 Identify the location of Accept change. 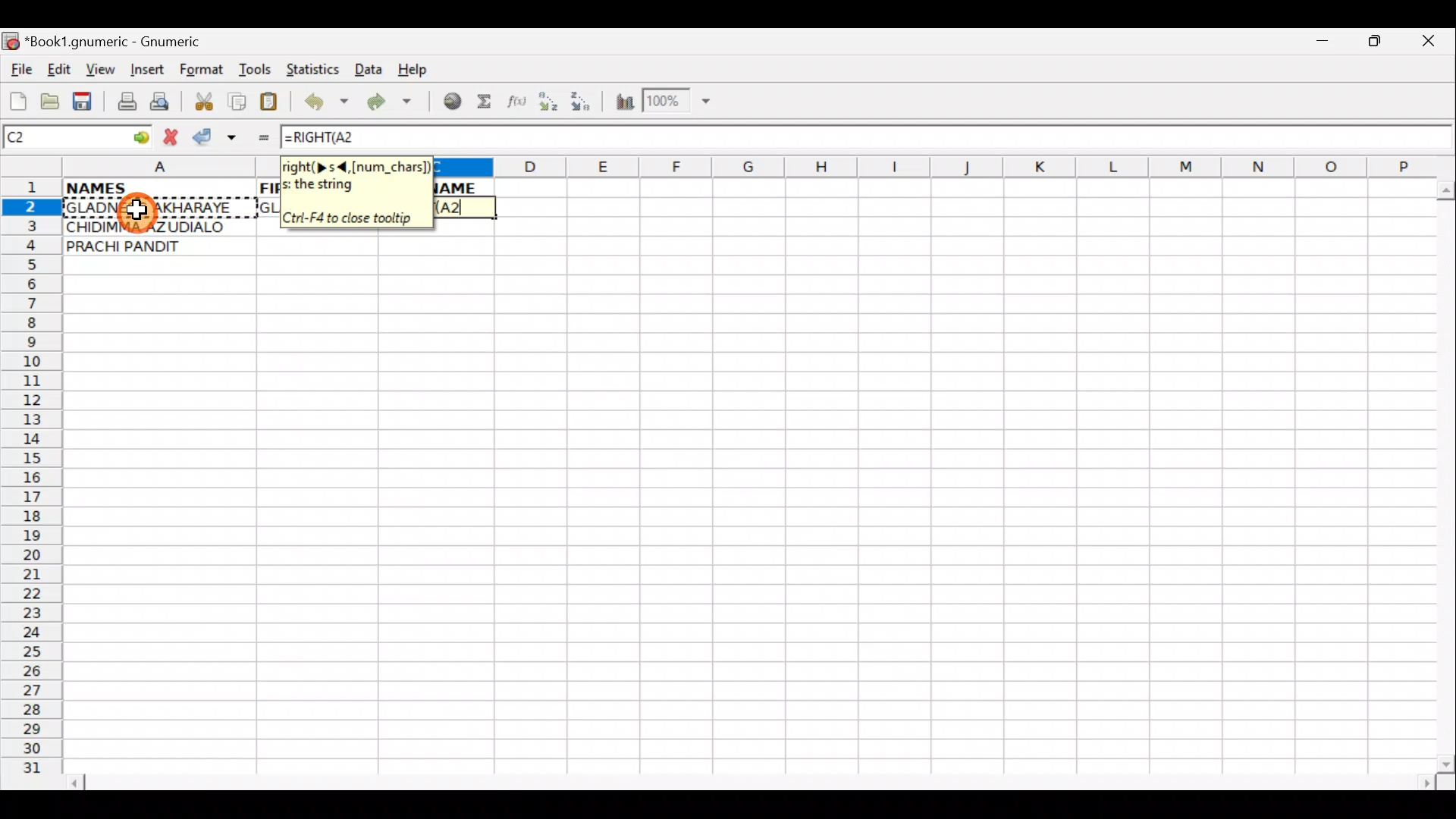
(215, 137).